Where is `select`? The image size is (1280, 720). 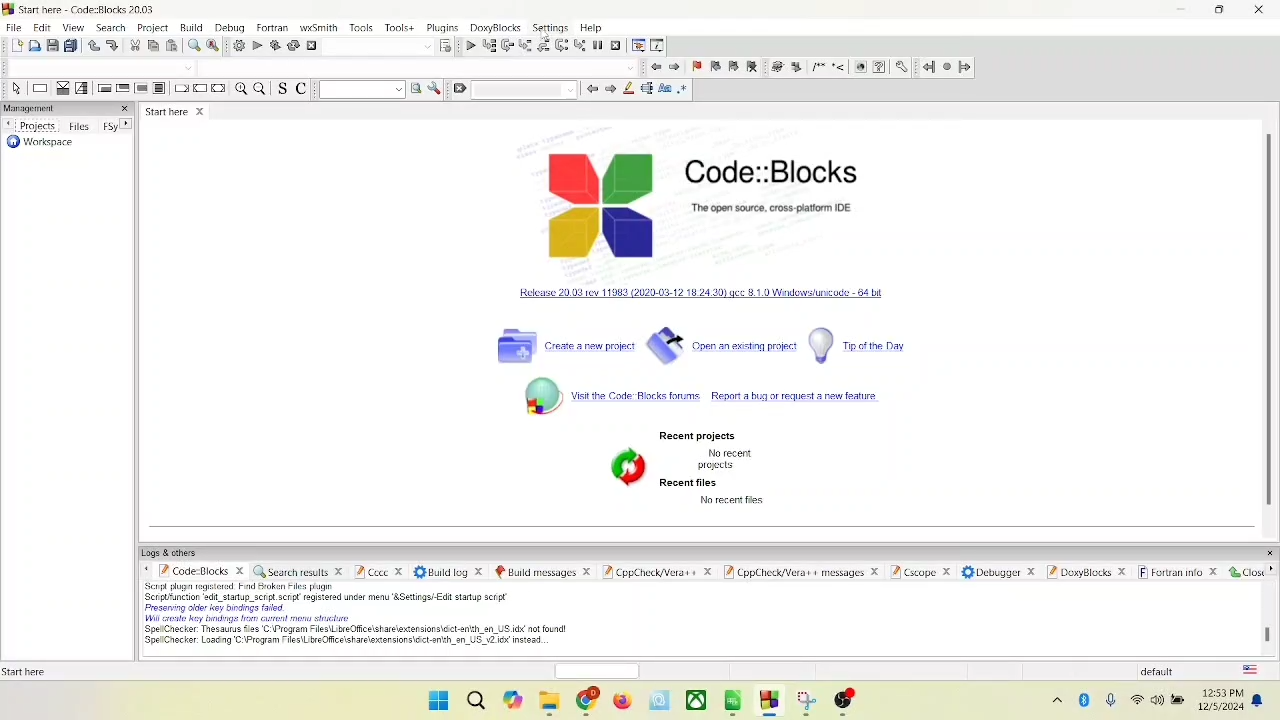
select is located at coordinates (17, 89).